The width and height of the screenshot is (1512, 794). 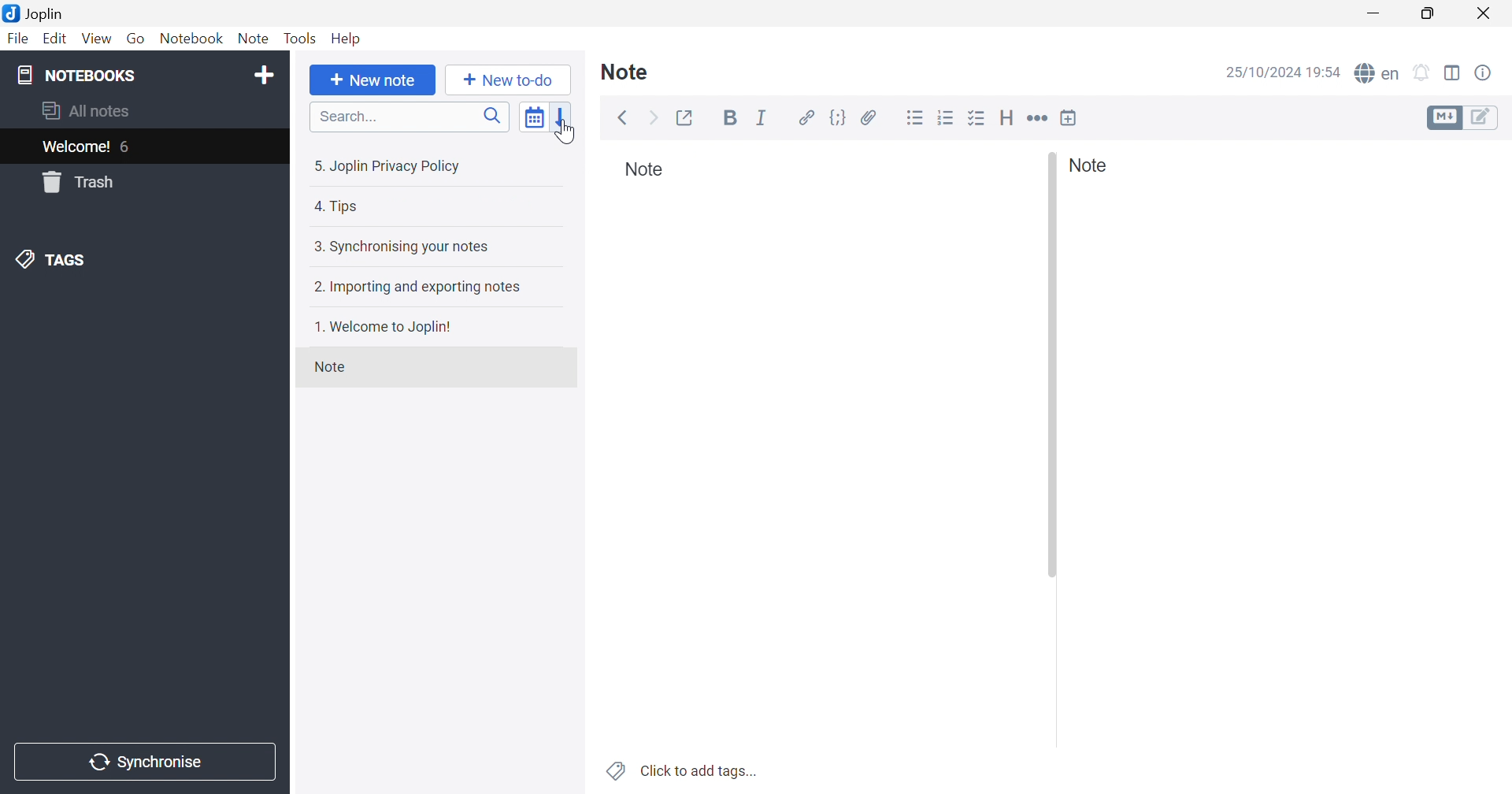 I want to click on Tags, so click(x=57, y=260).